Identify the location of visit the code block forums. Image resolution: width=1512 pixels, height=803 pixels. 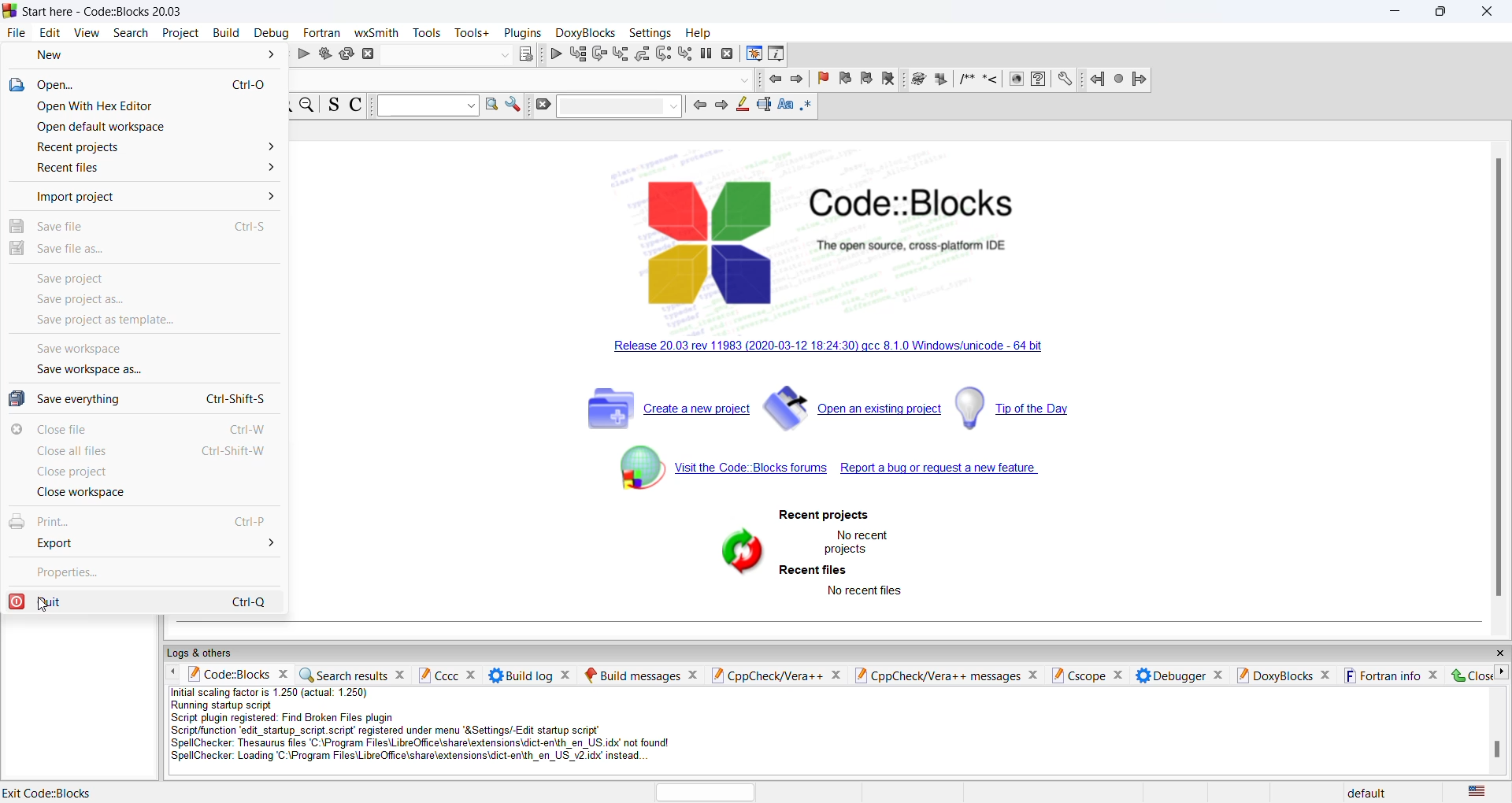
(714, 468).